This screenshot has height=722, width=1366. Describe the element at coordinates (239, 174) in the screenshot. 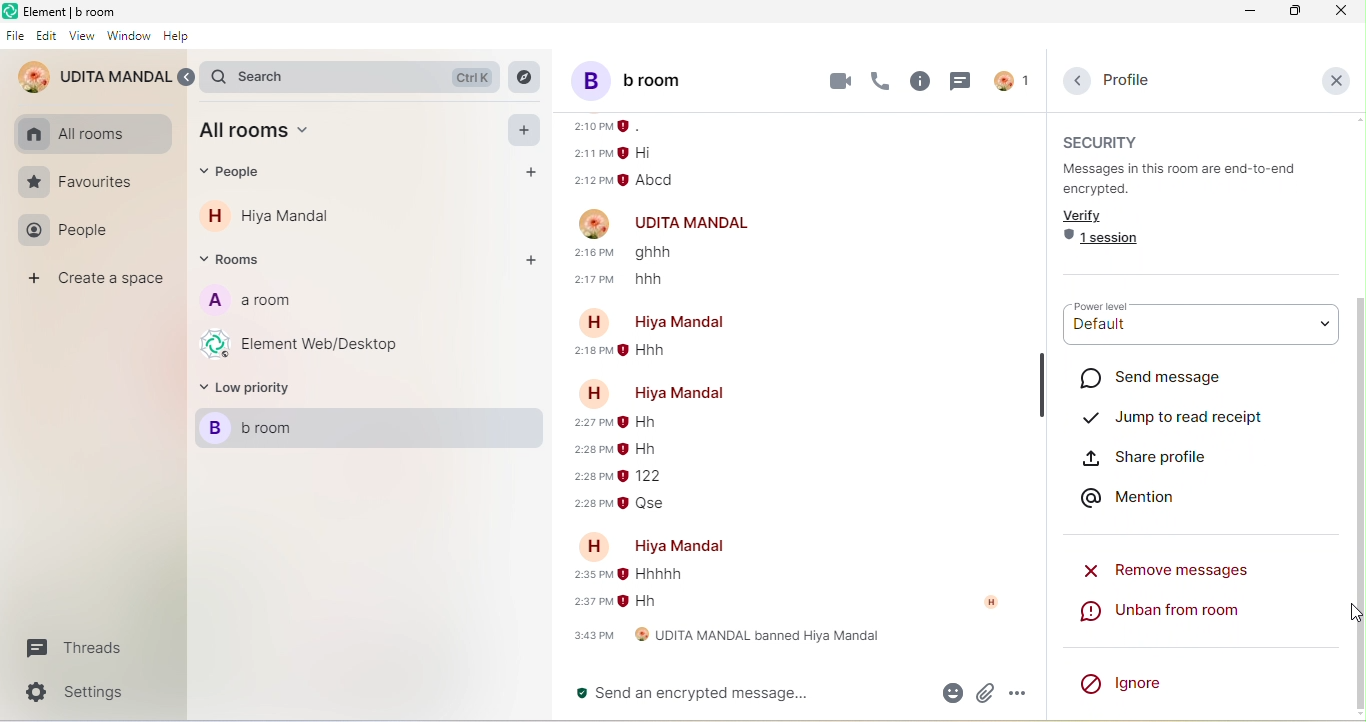

I see `people` at that location.